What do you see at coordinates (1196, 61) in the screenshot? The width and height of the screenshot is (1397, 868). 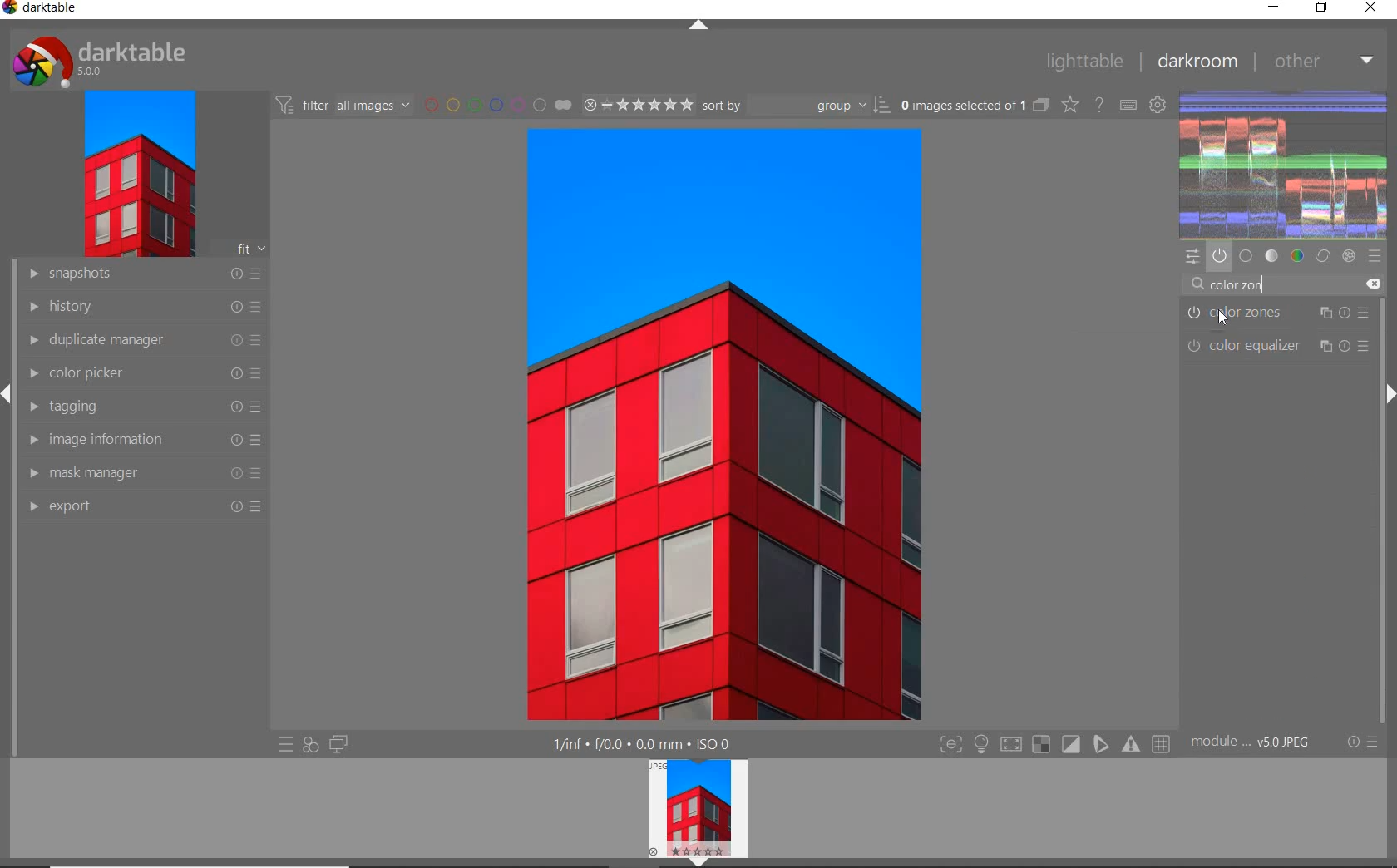 I see `dakroom` at bounding box center [1196, 61].